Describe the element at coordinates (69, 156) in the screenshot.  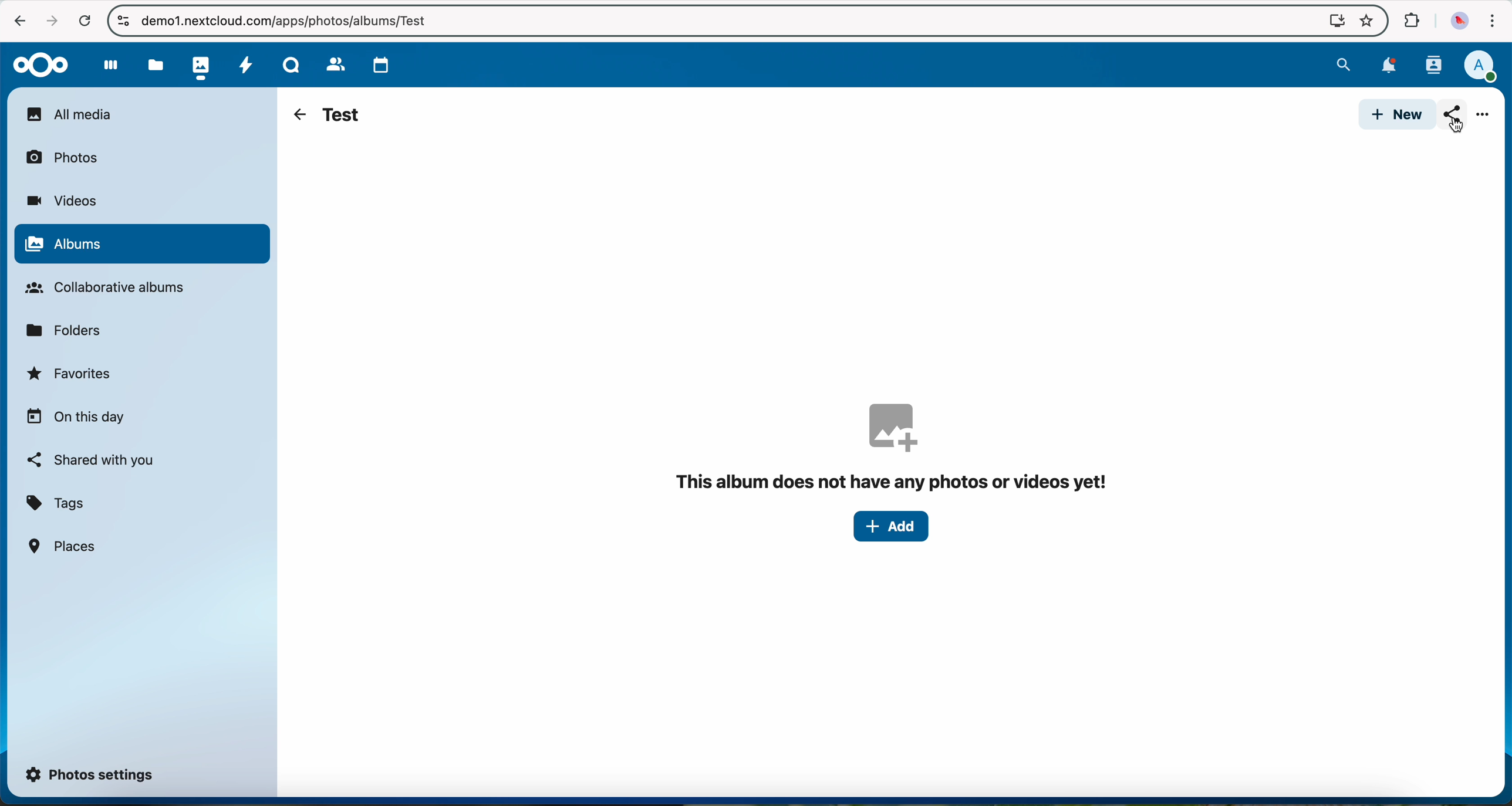
I see `photos` at that location.